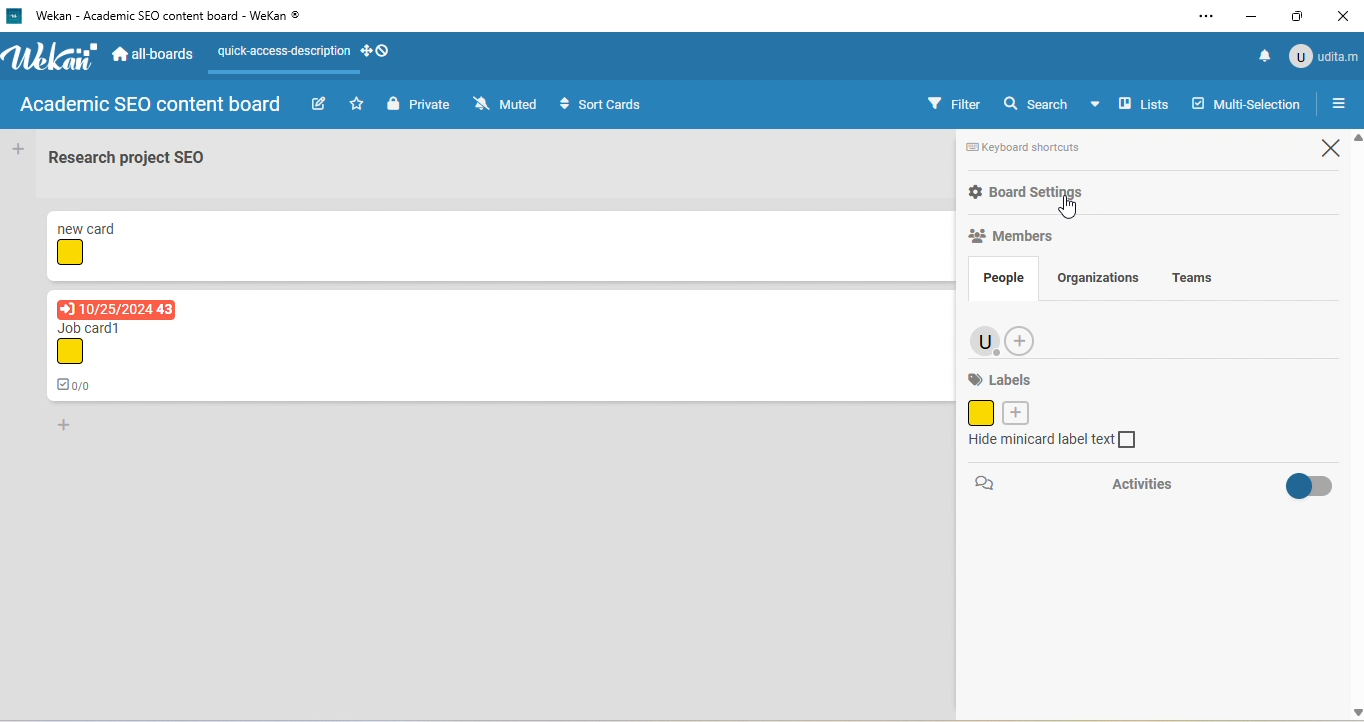 Image resolution: width=1364 pixels, height=722 pixels. Describe the element at coordinates (1027, 151) in the screenshot. I see `keyboard shortcuts` at that location.